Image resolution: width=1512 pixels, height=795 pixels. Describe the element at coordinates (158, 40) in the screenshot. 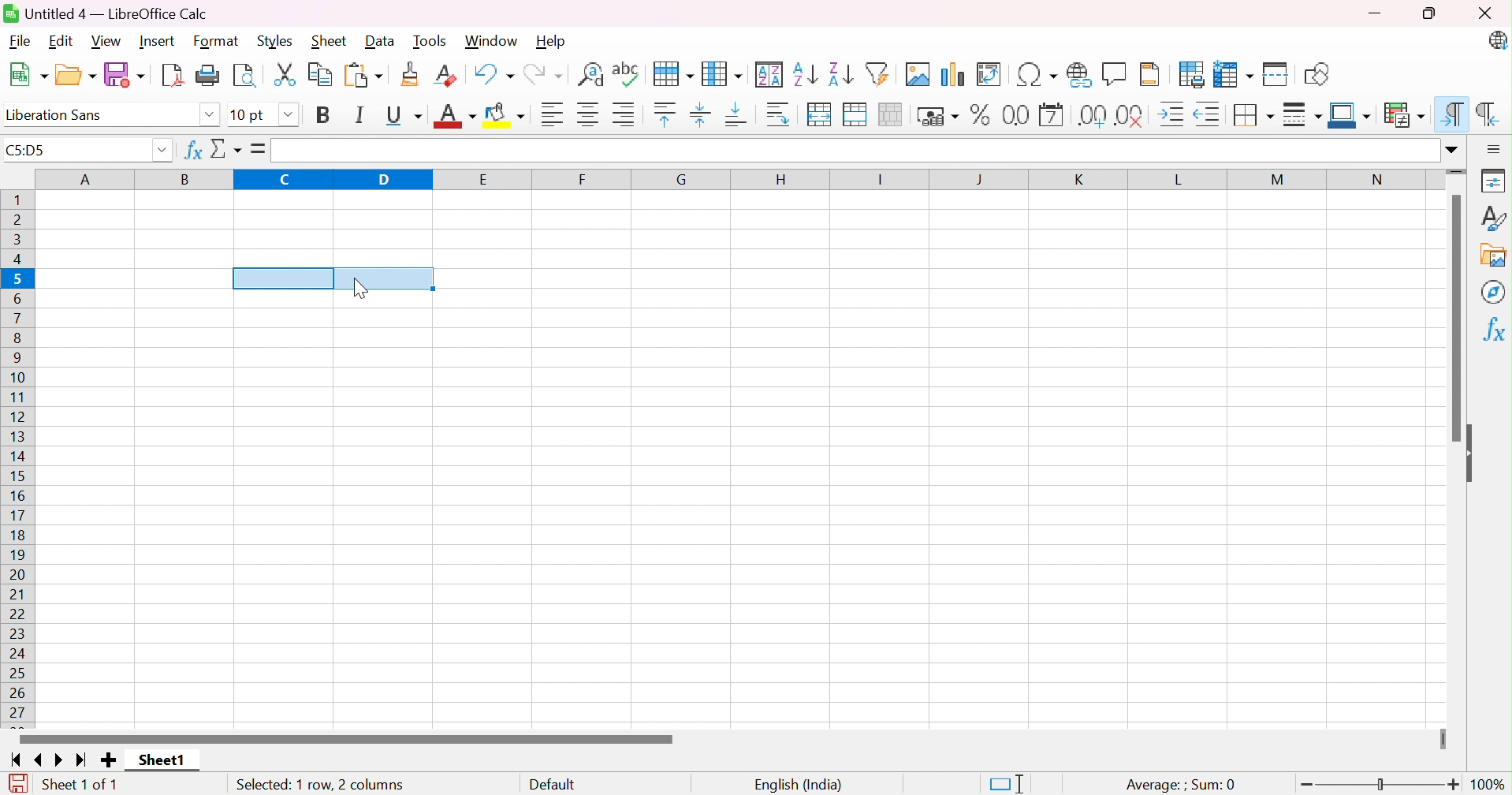

I see `Insert` at that location.